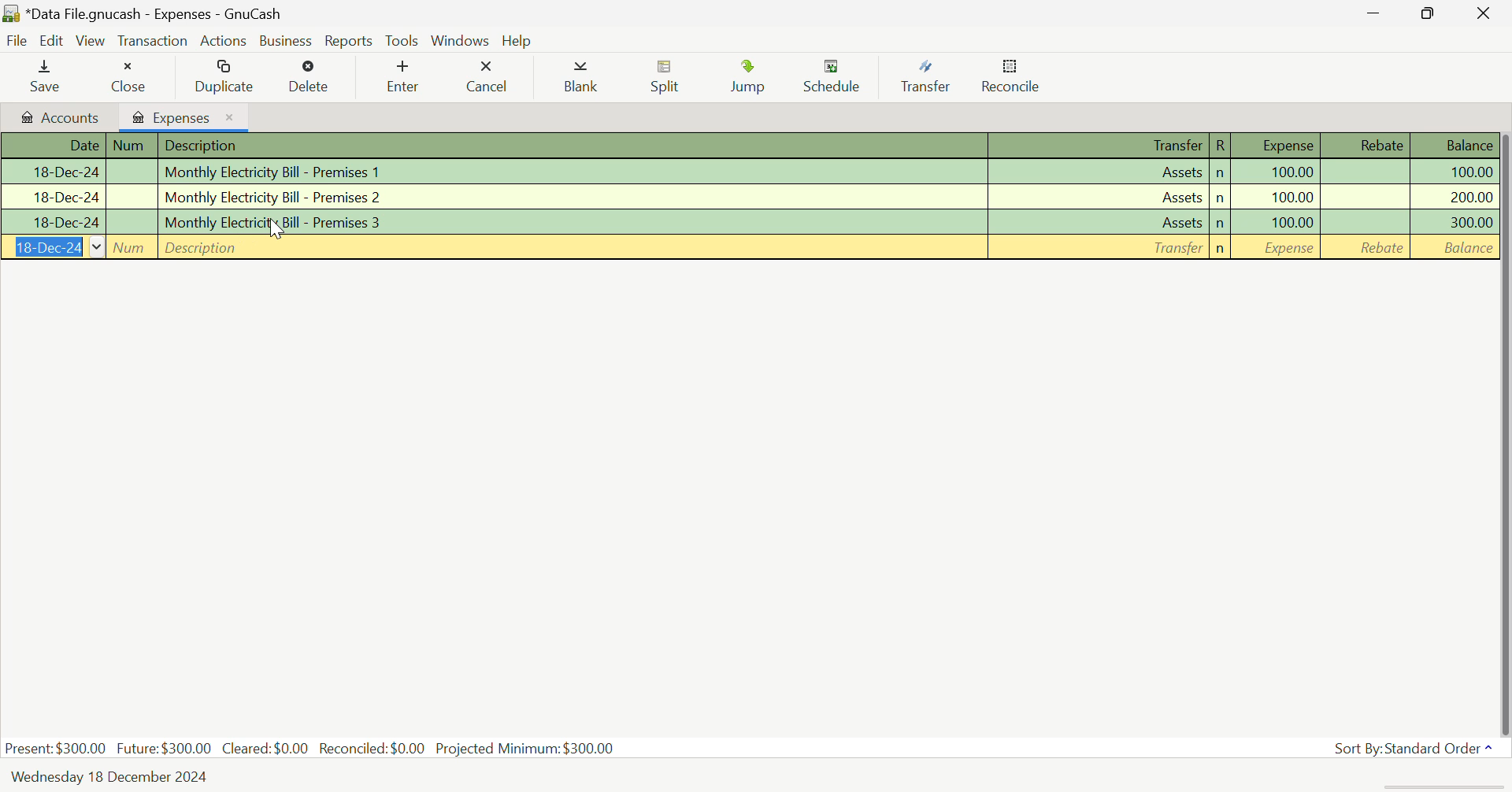  I want to click on Delete, so click(309, 77).